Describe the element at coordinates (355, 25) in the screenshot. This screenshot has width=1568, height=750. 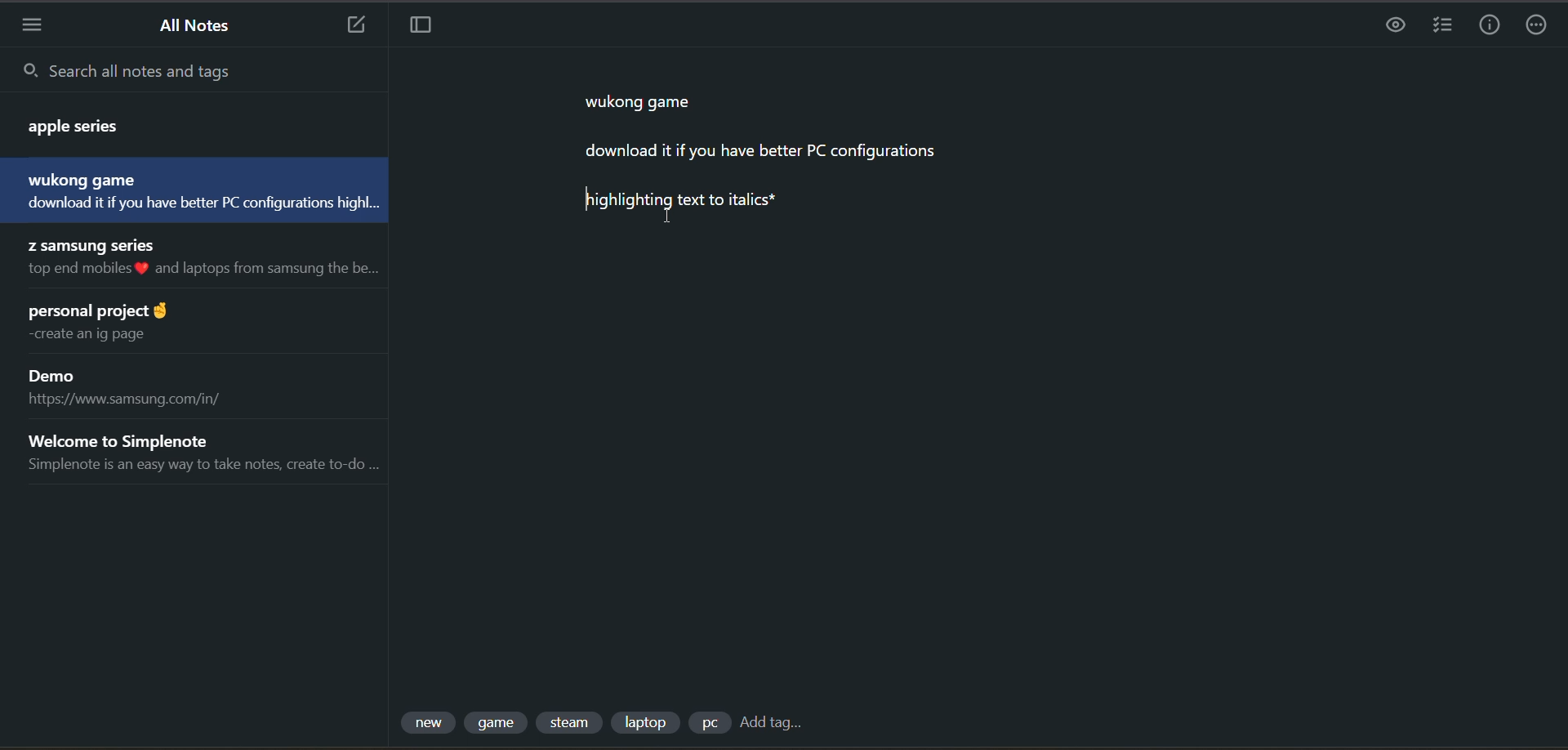
I see `new note` at that location.